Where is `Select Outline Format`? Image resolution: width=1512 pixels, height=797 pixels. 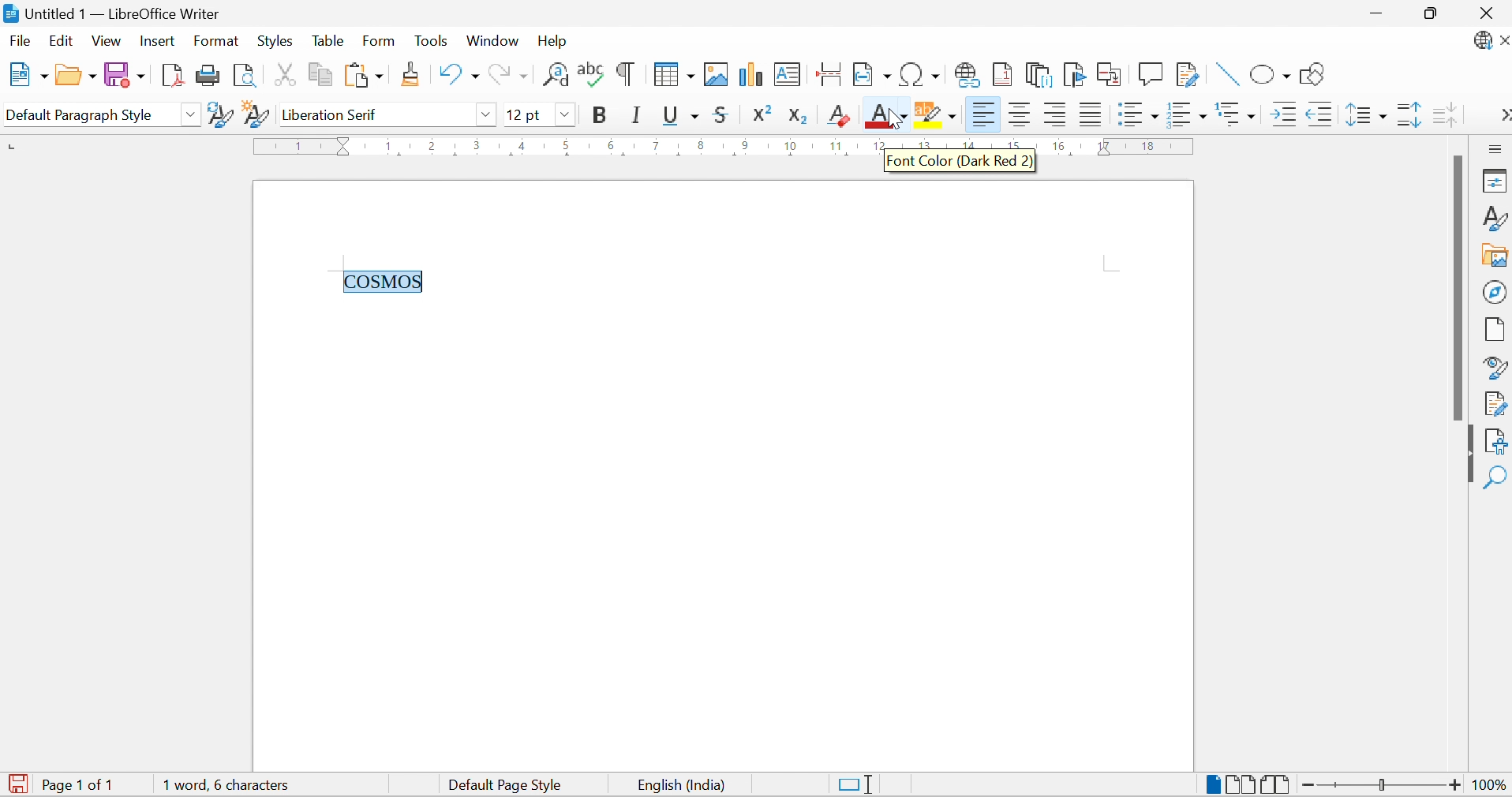
Select Outline Format is located at coordinates (1236, 112).